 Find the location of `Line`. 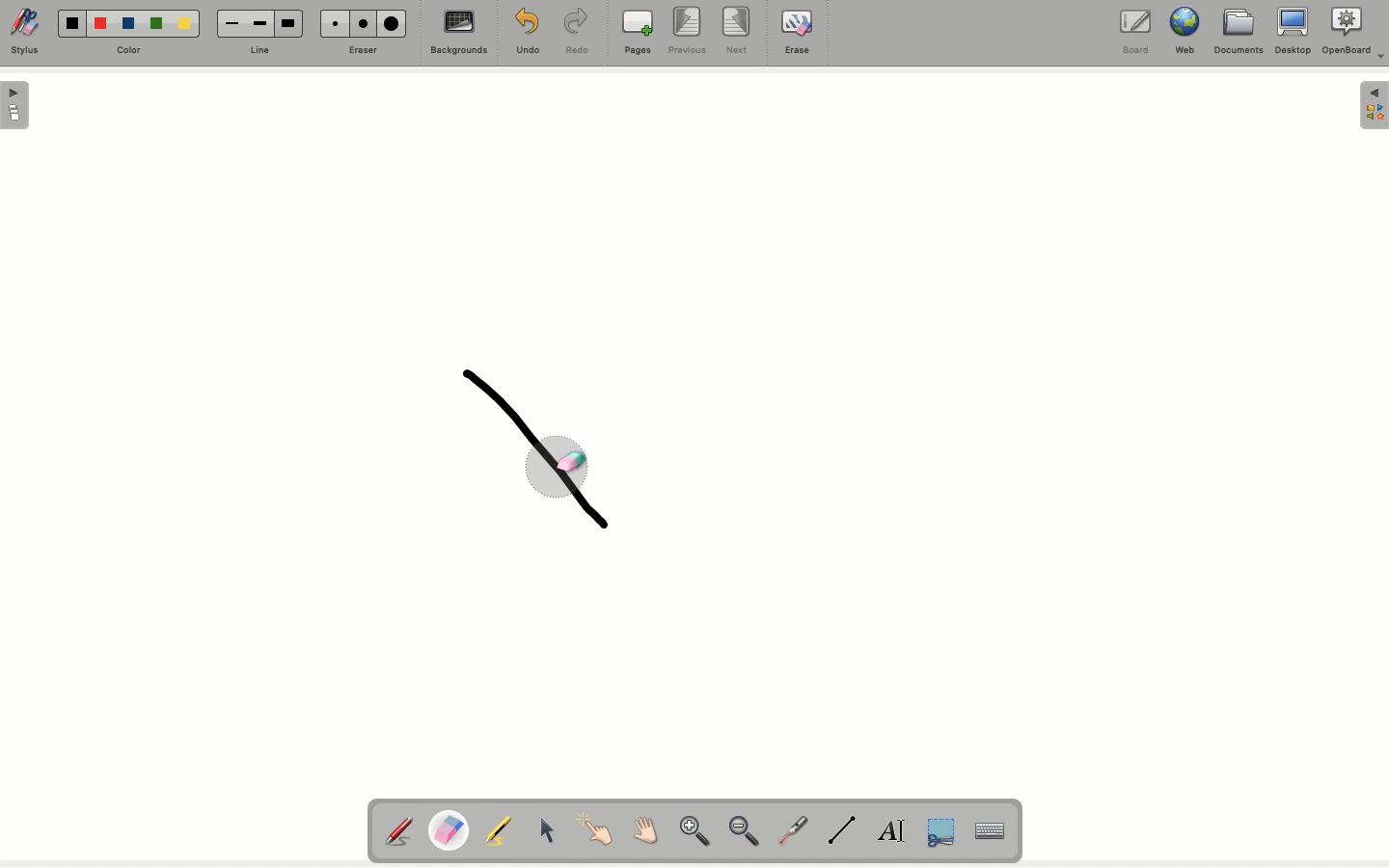

Line is located at coordinates (265, 49).